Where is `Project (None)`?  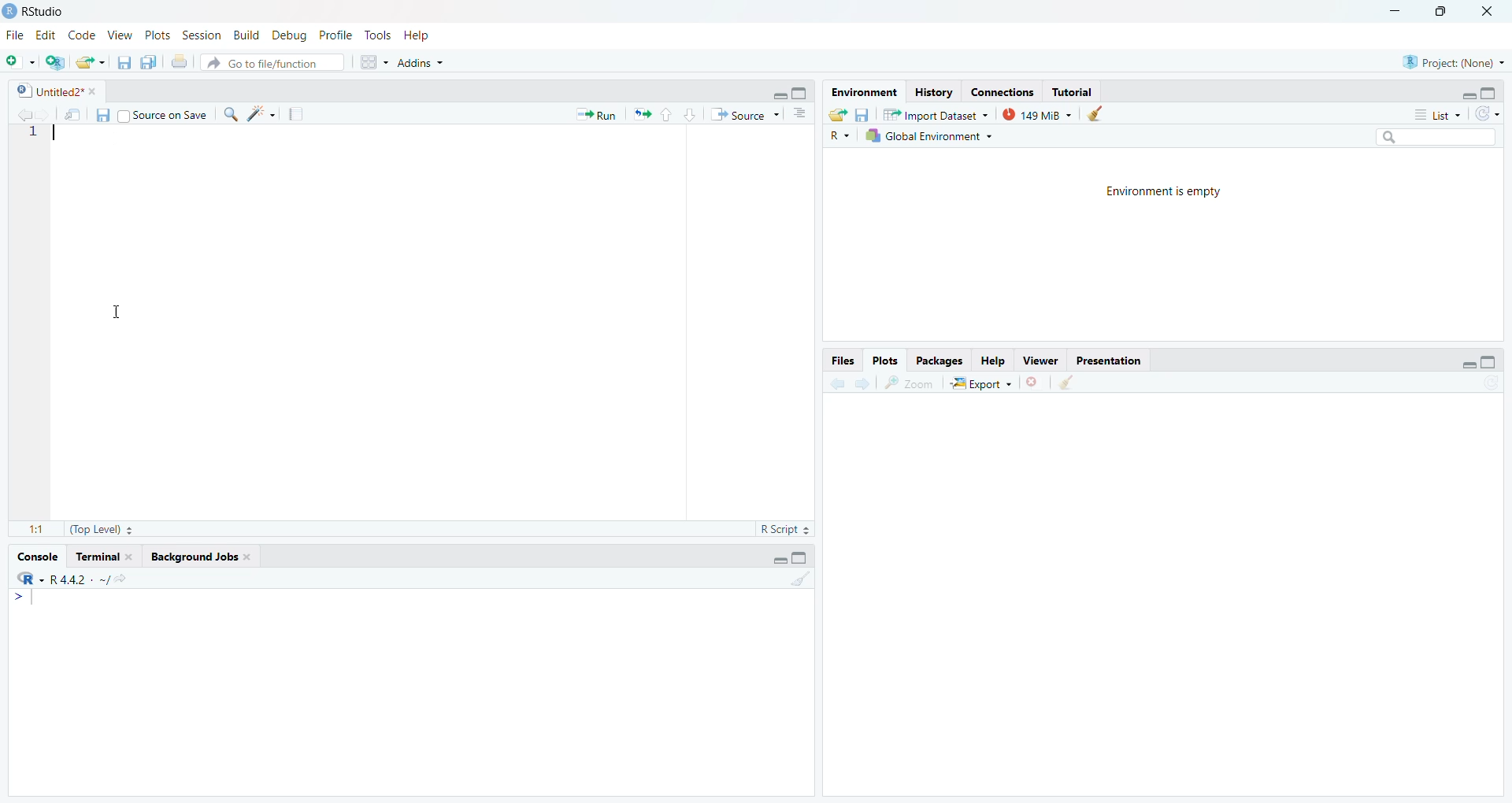
Project (None) is located at coordinates (1454, 63).